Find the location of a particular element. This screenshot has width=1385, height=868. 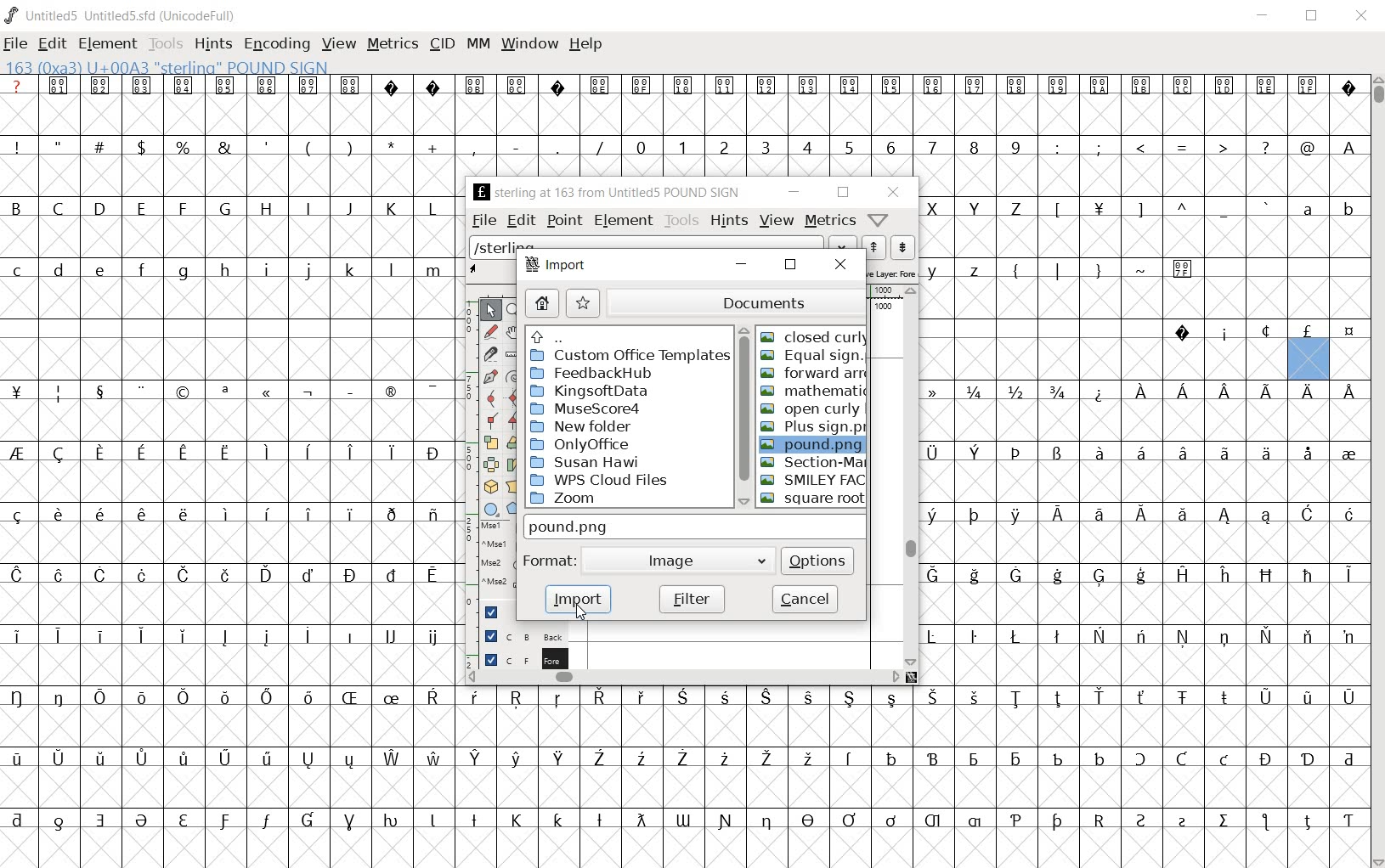

( is located at coordinates (309, 148).